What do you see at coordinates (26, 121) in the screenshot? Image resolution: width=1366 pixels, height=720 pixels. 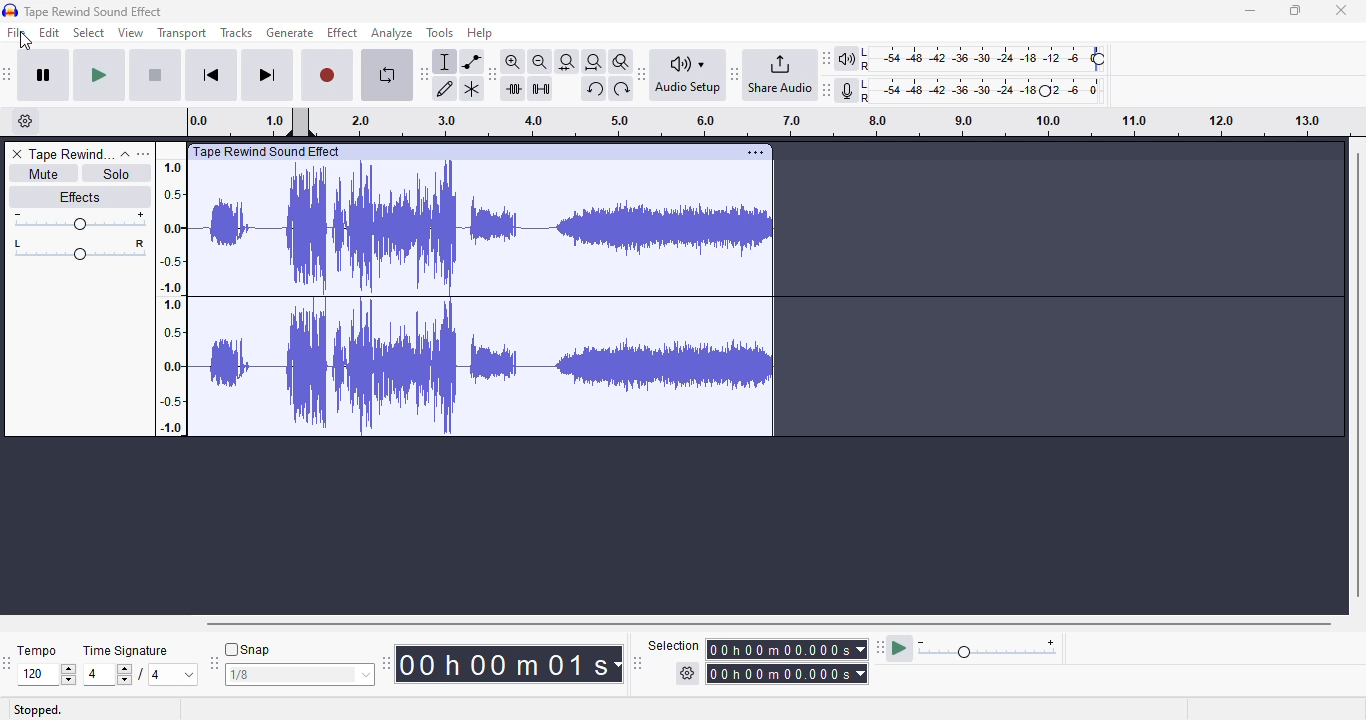 I see `timeline options` at bounding box center [26, 121].